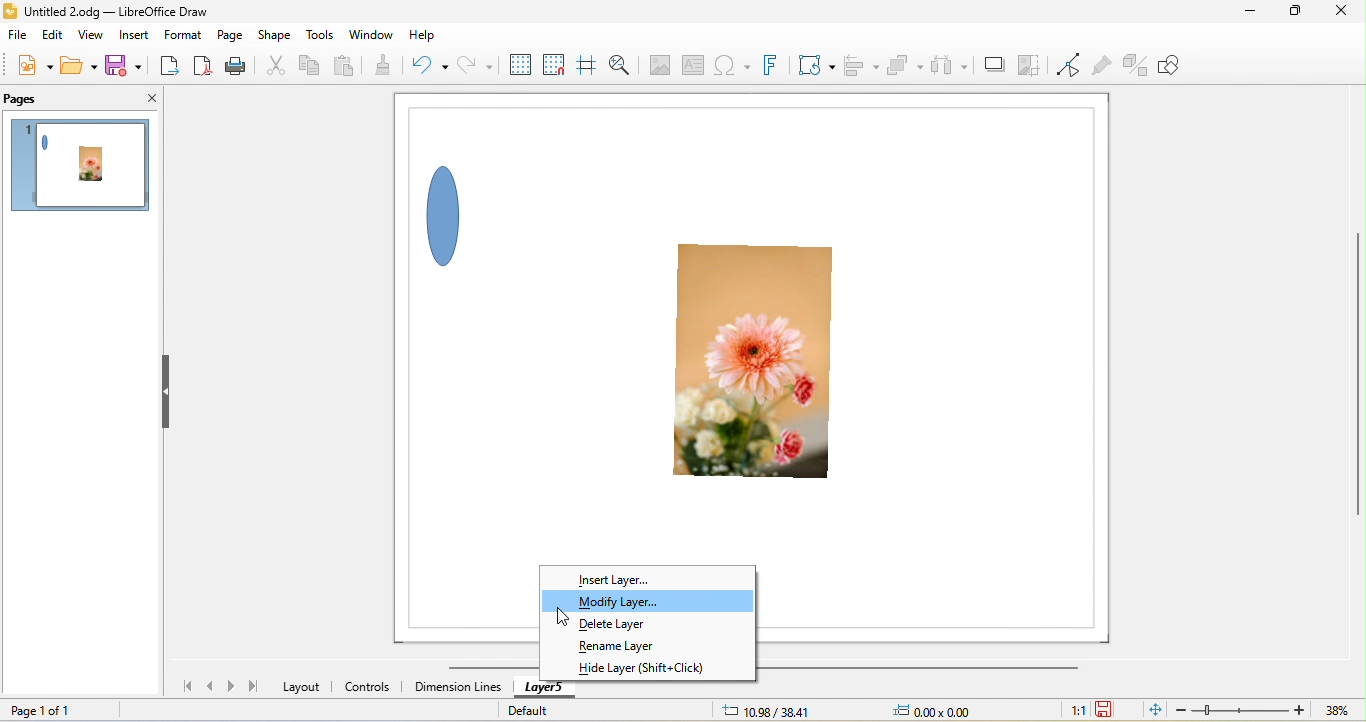  What do you see at coordinates (648, 600) in the screenshot?
I see `modify layer` at bounding box center [648, 600].